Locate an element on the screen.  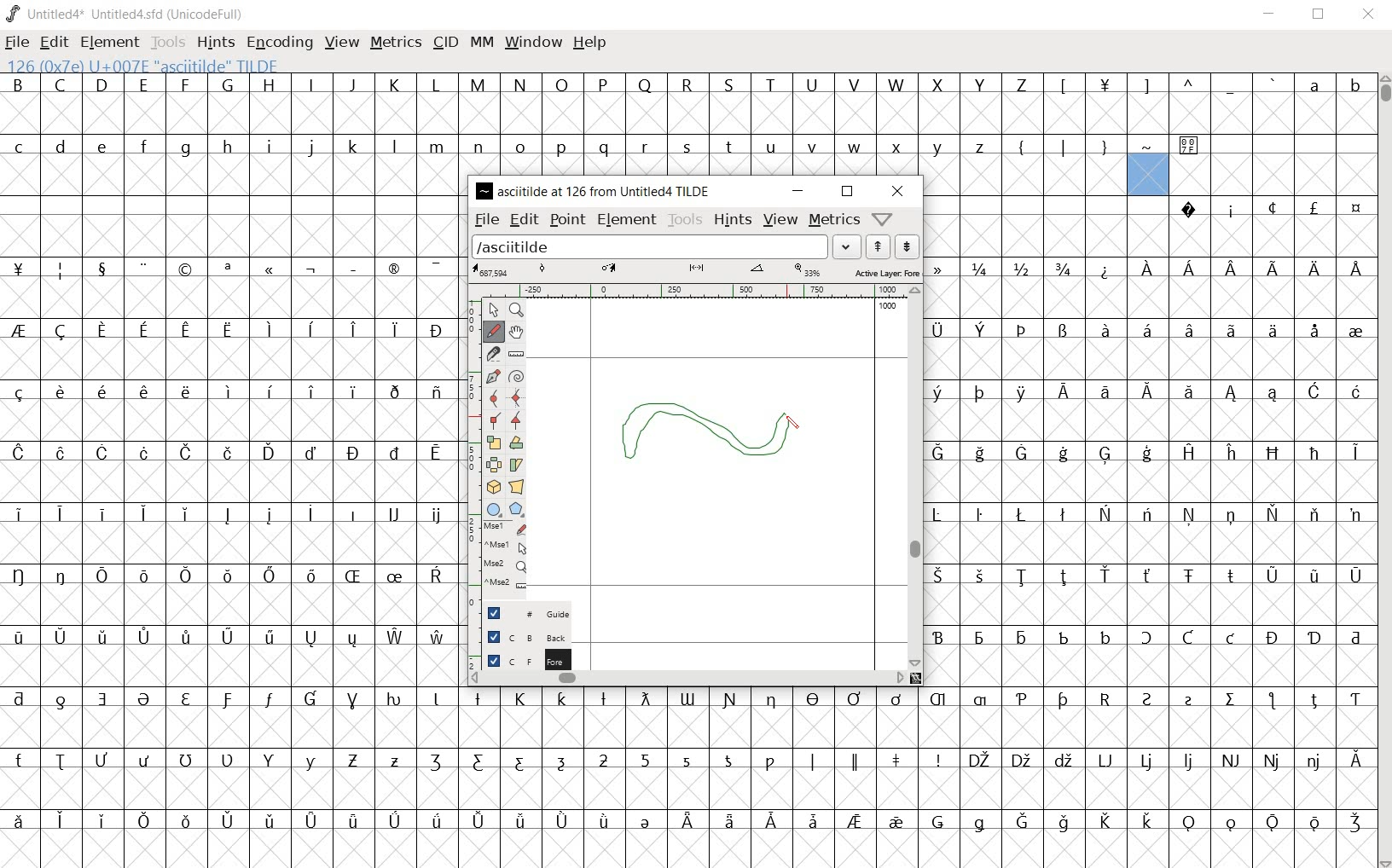
draw a freehand curve is located at coordinates (495, 329).